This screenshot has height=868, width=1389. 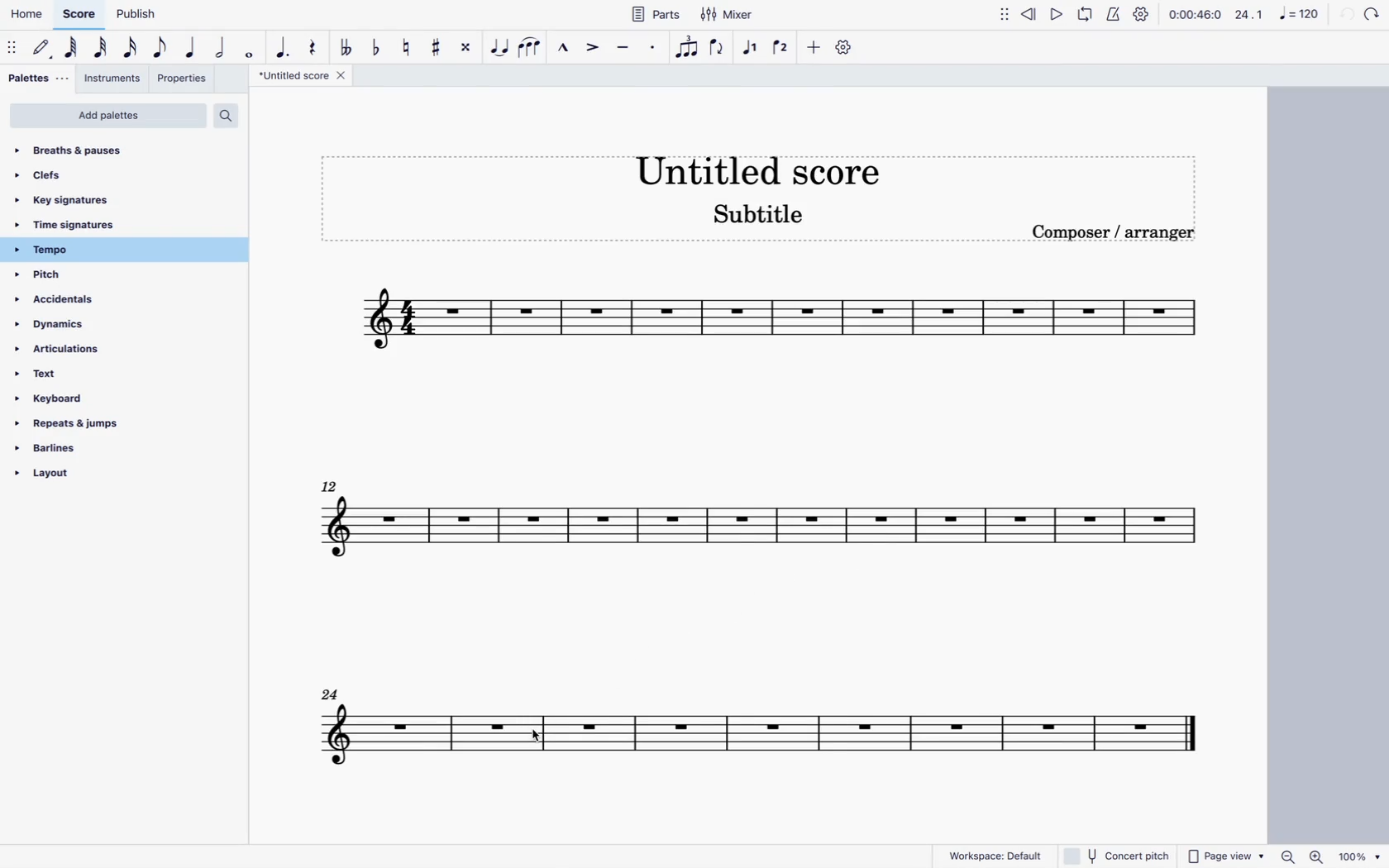 What do you see at coordinates (757, 165) in the screenshot?
I see `score title` at bounding box center [757, 165].